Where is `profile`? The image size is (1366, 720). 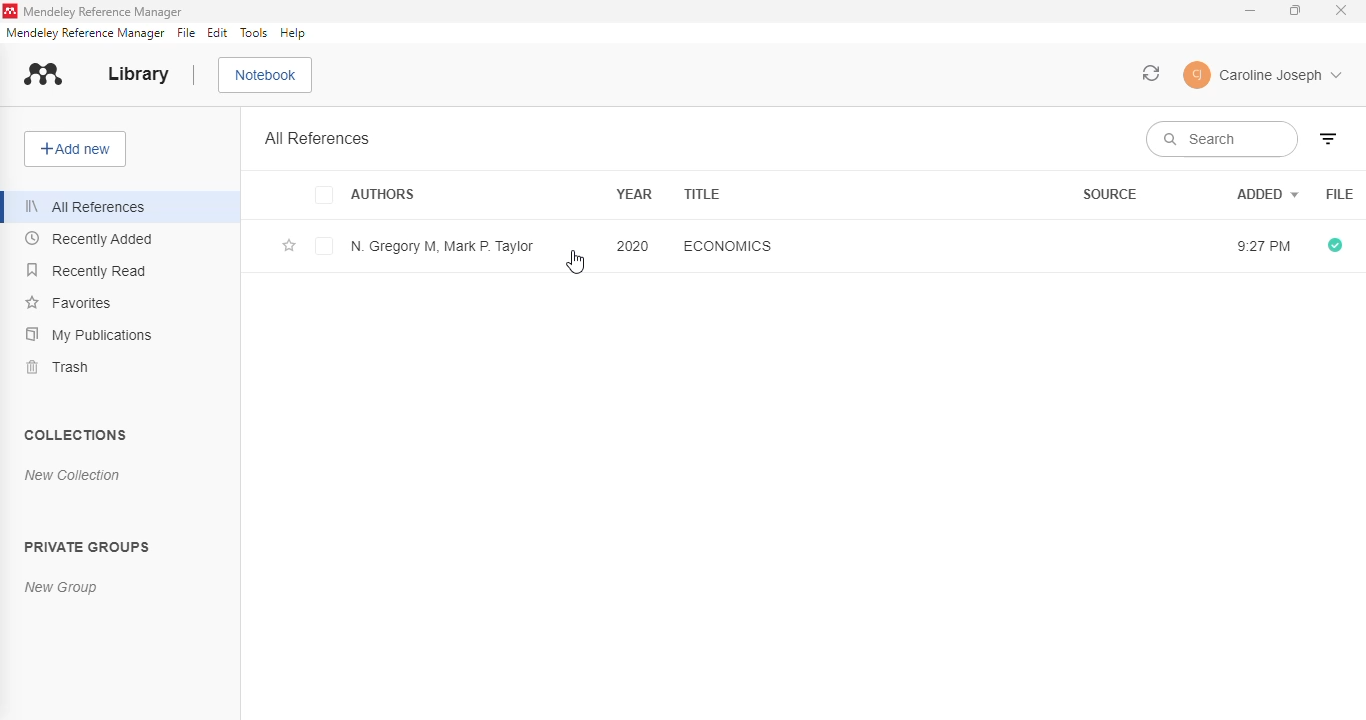
profile is located at coordinates (1264, 75).